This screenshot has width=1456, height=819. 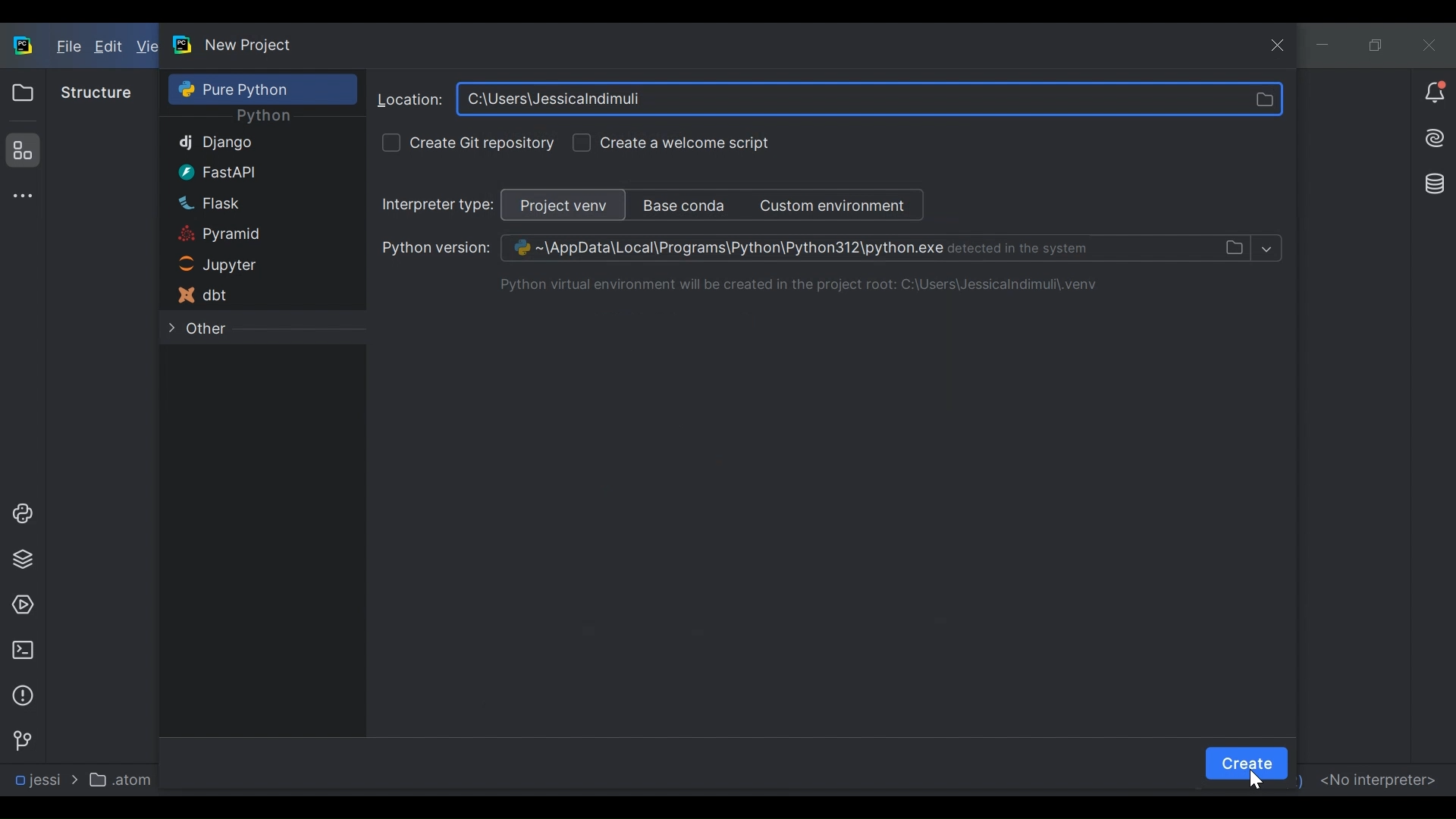 I want to click on File, so click(x=67, y=48).